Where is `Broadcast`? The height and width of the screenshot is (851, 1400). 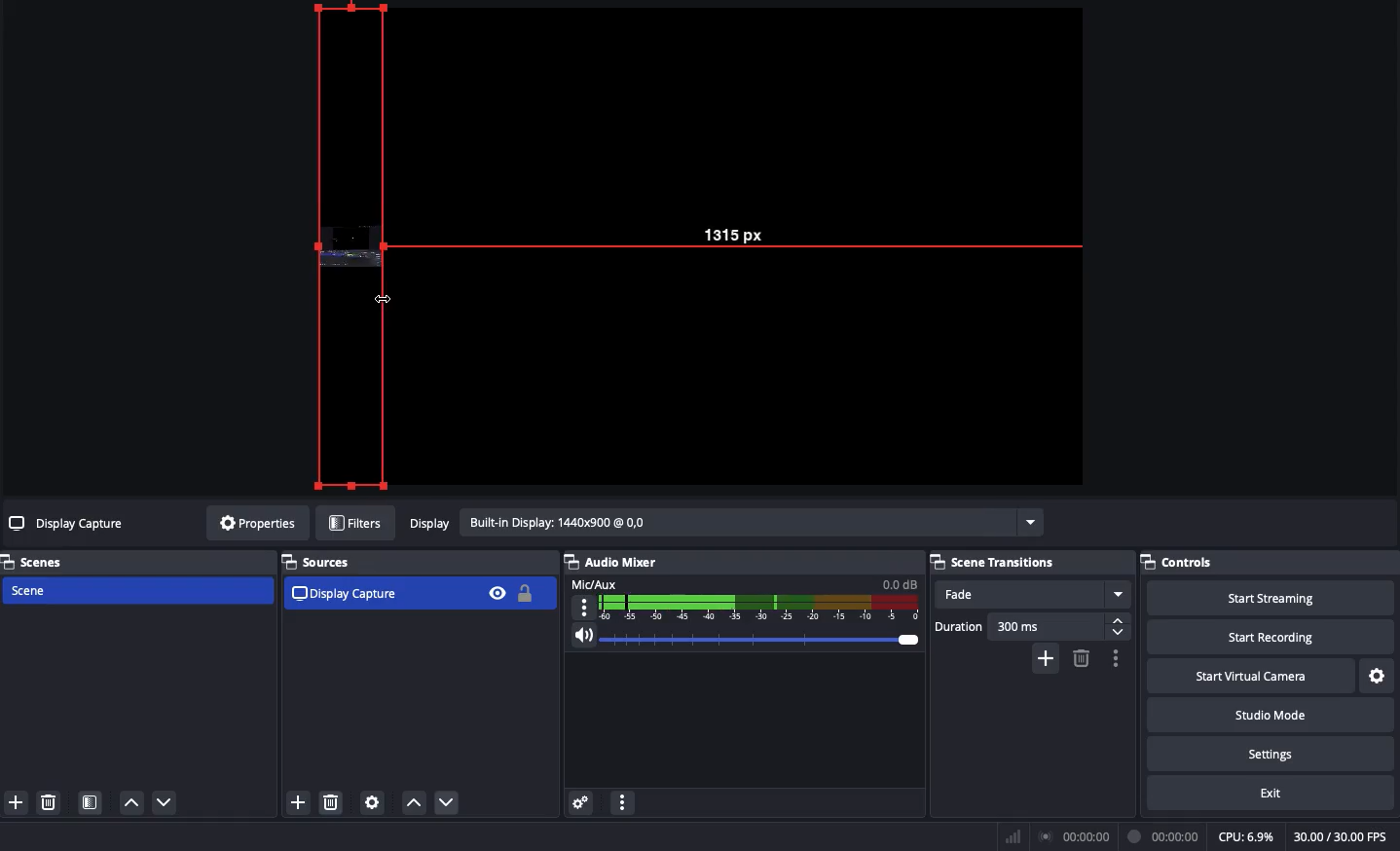
Broadcast is located at coordinates (1078, 837).